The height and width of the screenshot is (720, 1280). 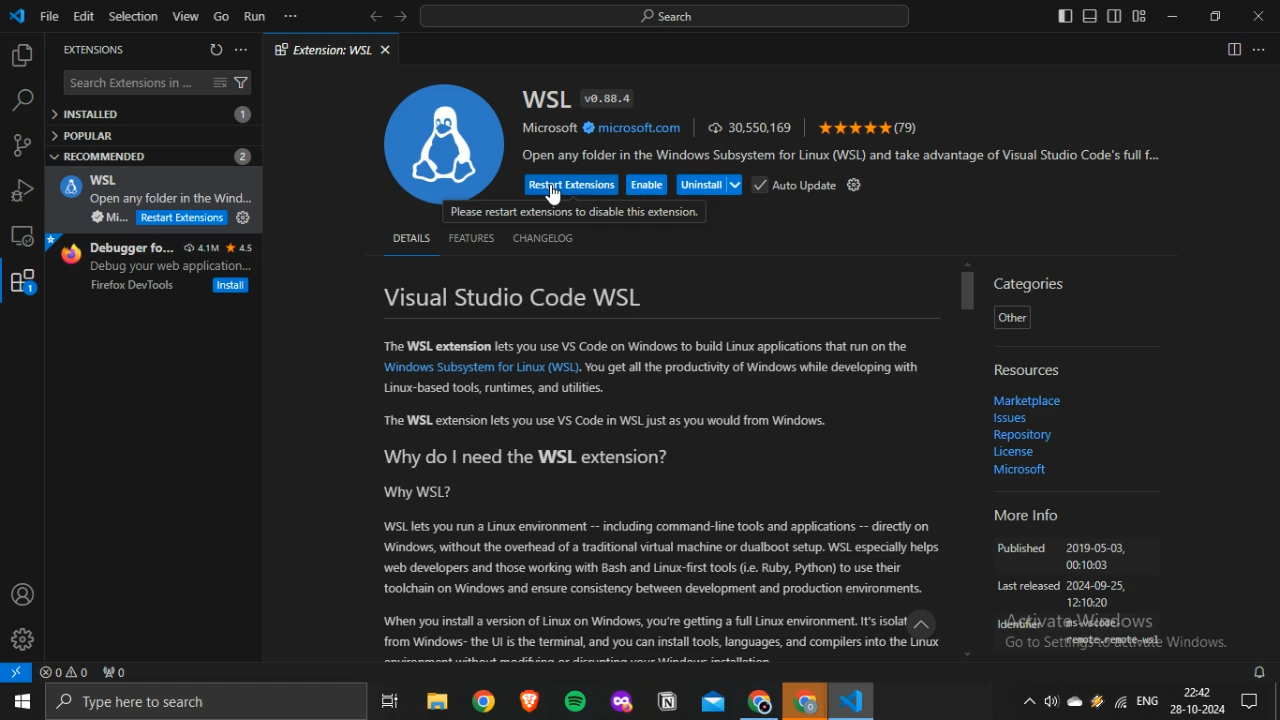 What do you see at coordinates (21, 702) in the screenshot?
I see `start` at bounding box center [21, 702].